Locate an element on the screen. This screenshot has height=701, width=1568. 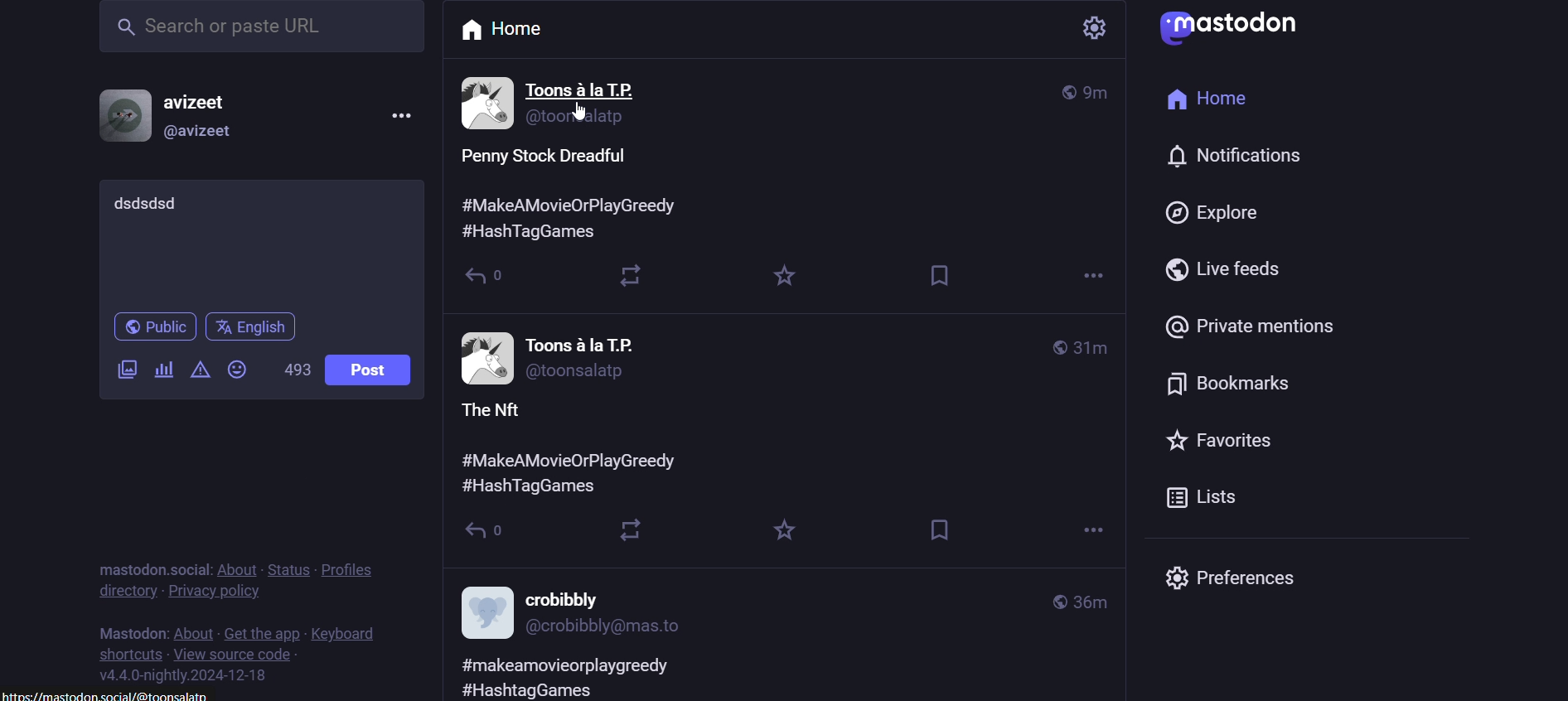
language is located at coordinates (252, 328).